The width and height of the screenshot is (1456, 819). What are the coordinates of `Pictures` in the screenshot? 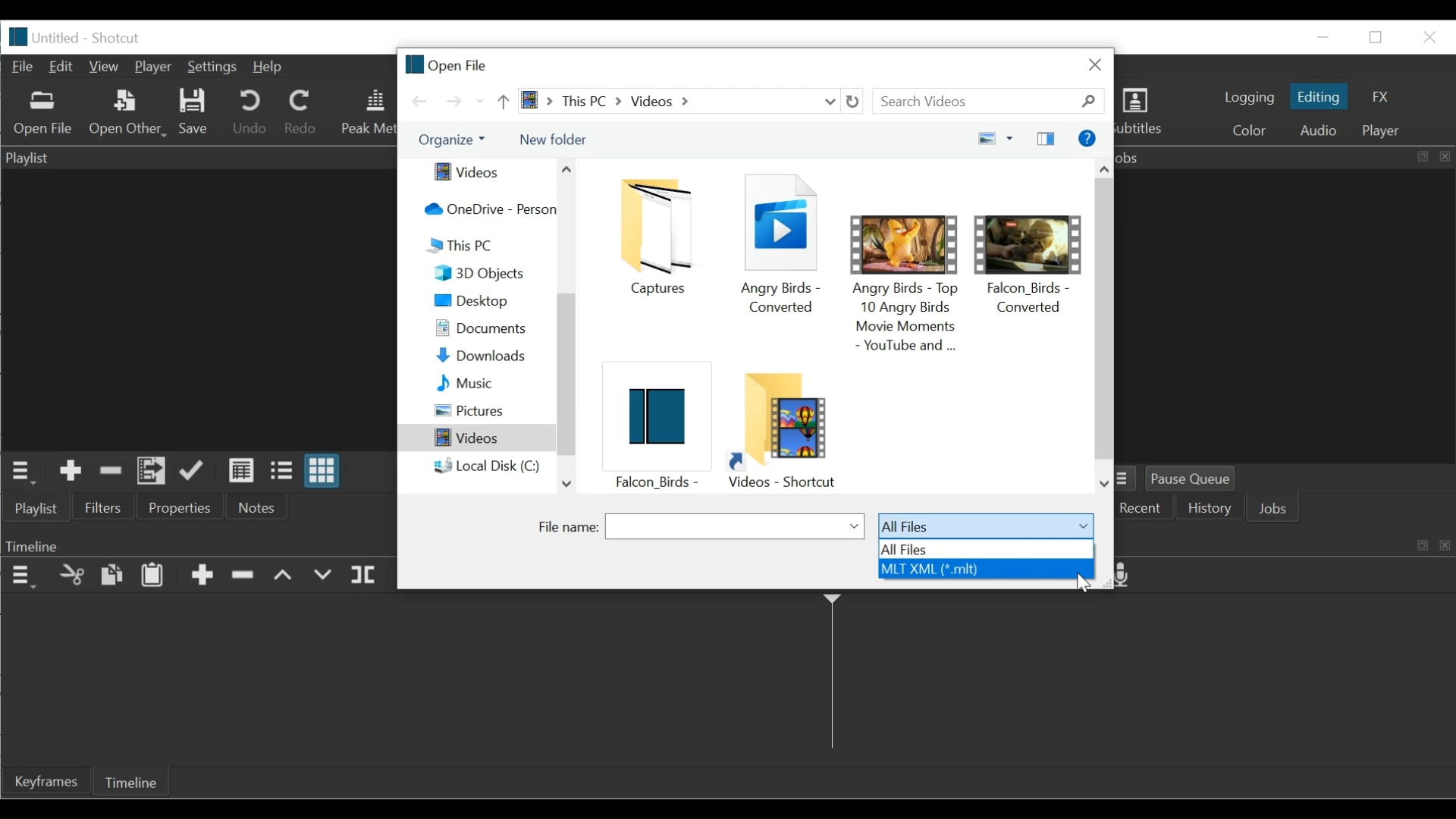 It's located at (492, 411).